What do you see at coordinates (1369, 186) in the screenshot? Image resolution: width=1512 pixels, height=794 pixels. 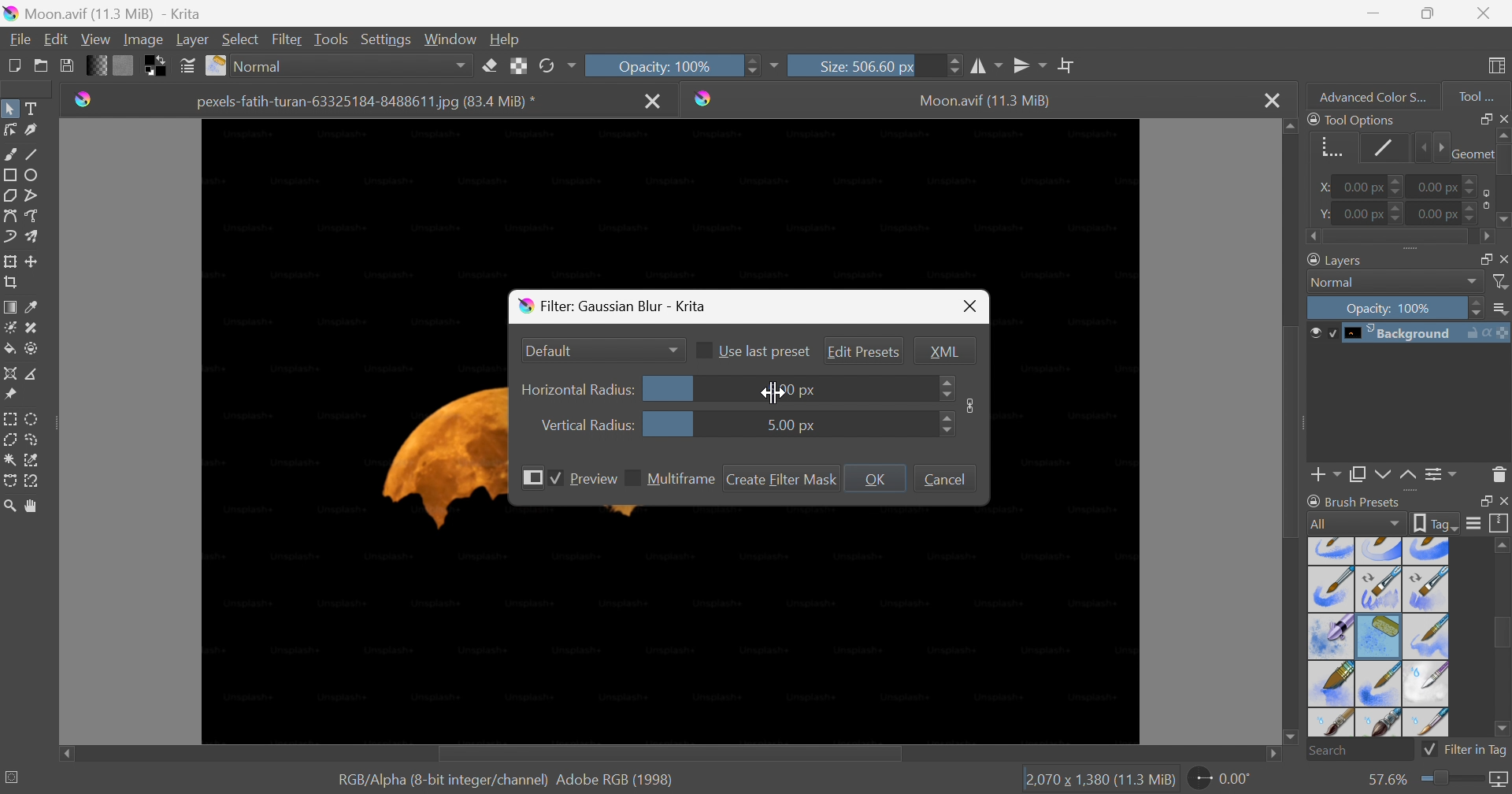 I see `0.00 px` at bounding box center [1369, 186].